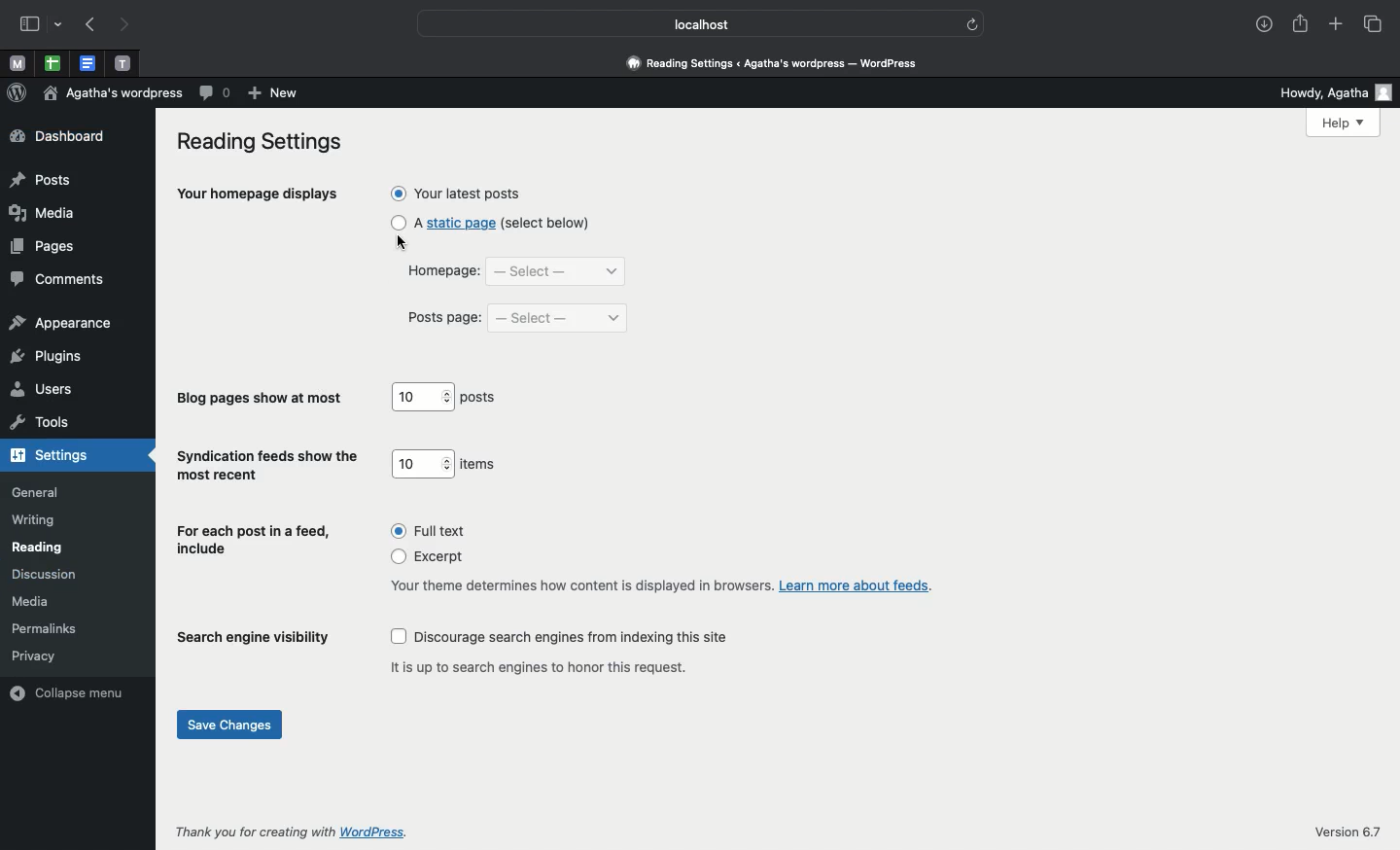 The height and width of the screenshot is (850, 1400). I want to click on Blog pages show at most, so click(262, 399).